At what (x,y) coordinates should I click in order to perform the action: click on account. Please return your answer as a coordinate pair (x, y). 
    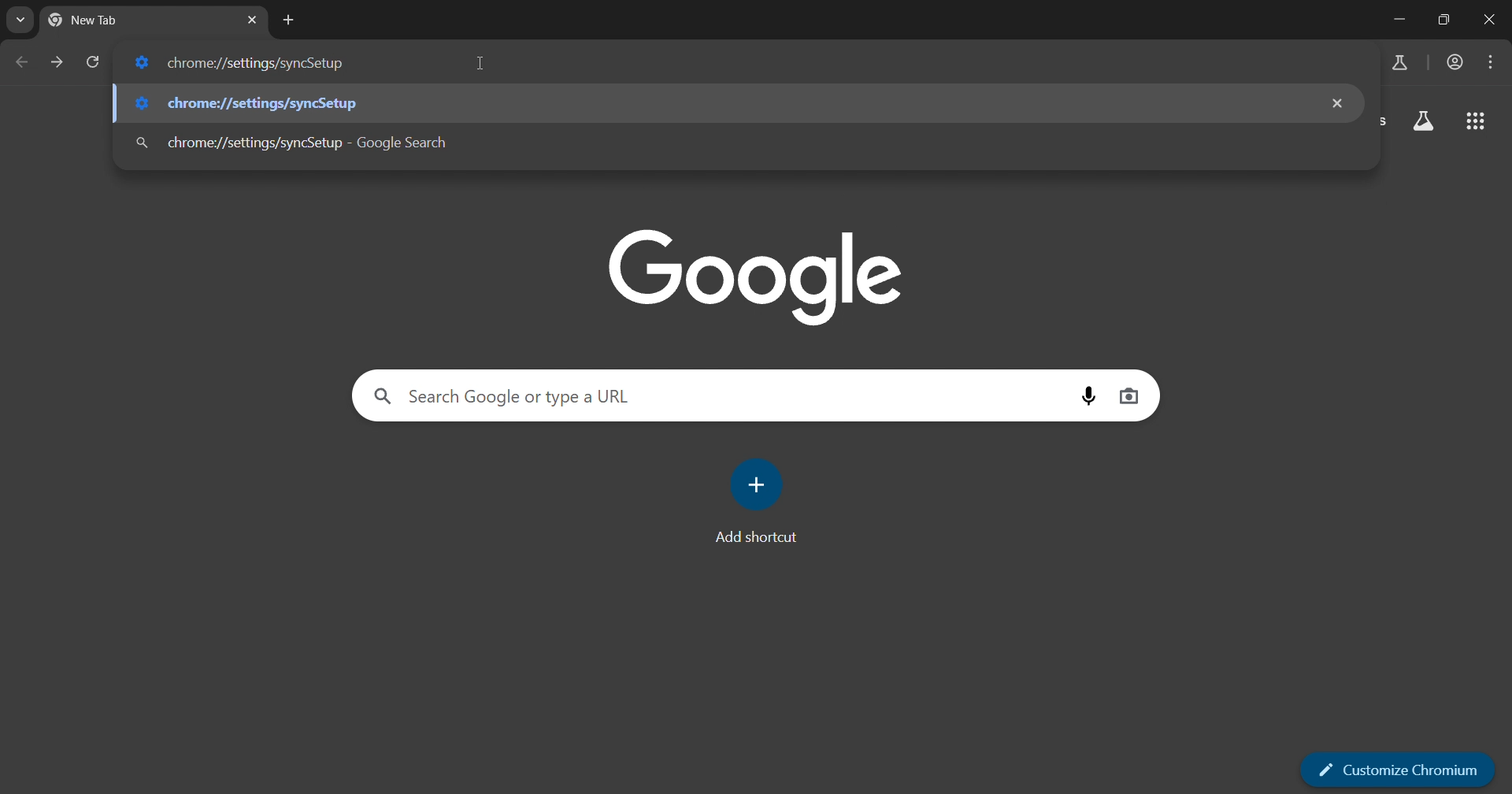
    Looking at the image, I should click on (1454, 63).